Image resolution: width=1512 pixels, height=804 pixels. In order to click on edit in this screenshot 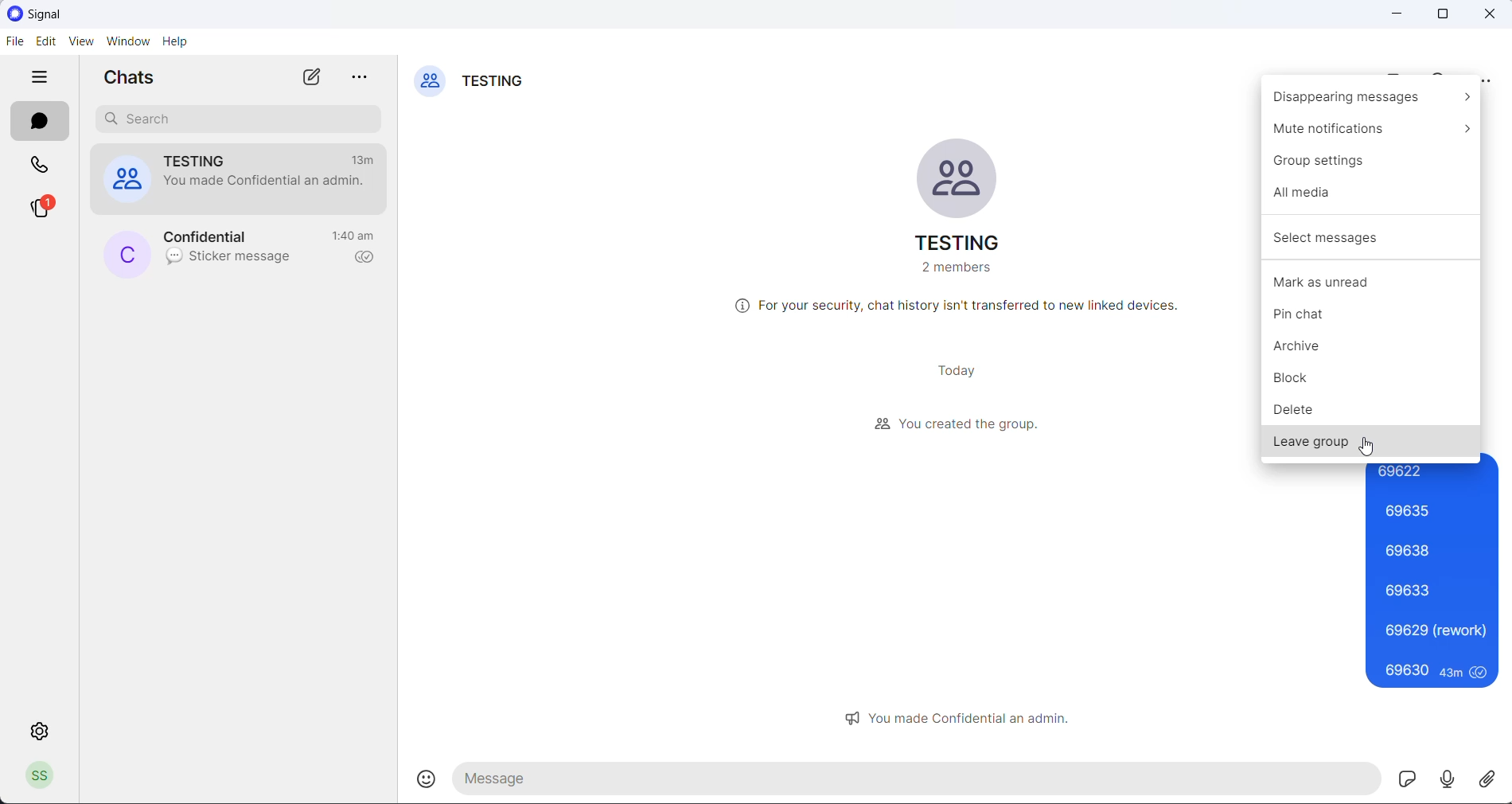, I will do `click(44, 45)`.